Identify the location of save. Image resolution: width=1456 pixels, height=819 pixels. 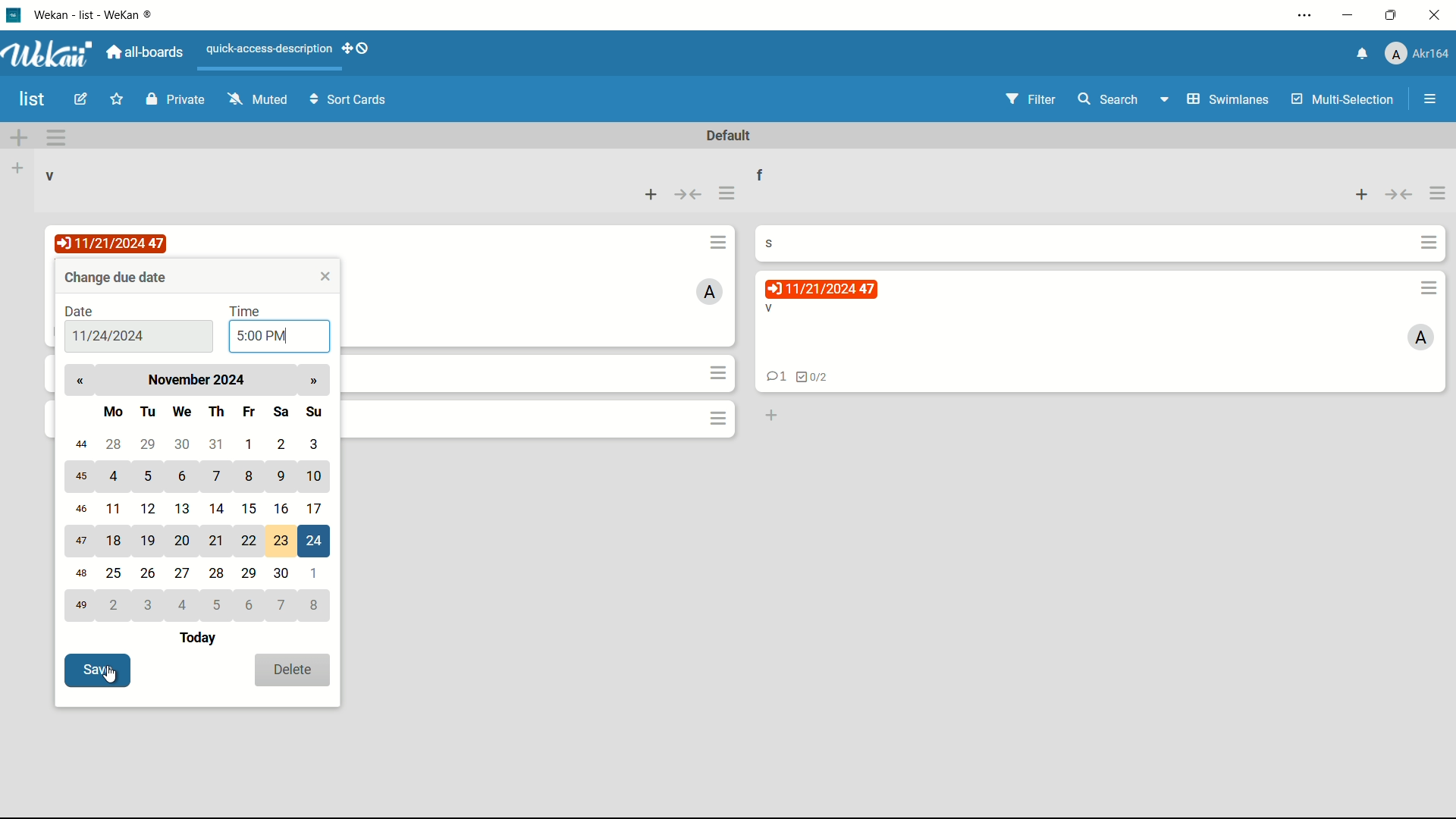
(98, 669).